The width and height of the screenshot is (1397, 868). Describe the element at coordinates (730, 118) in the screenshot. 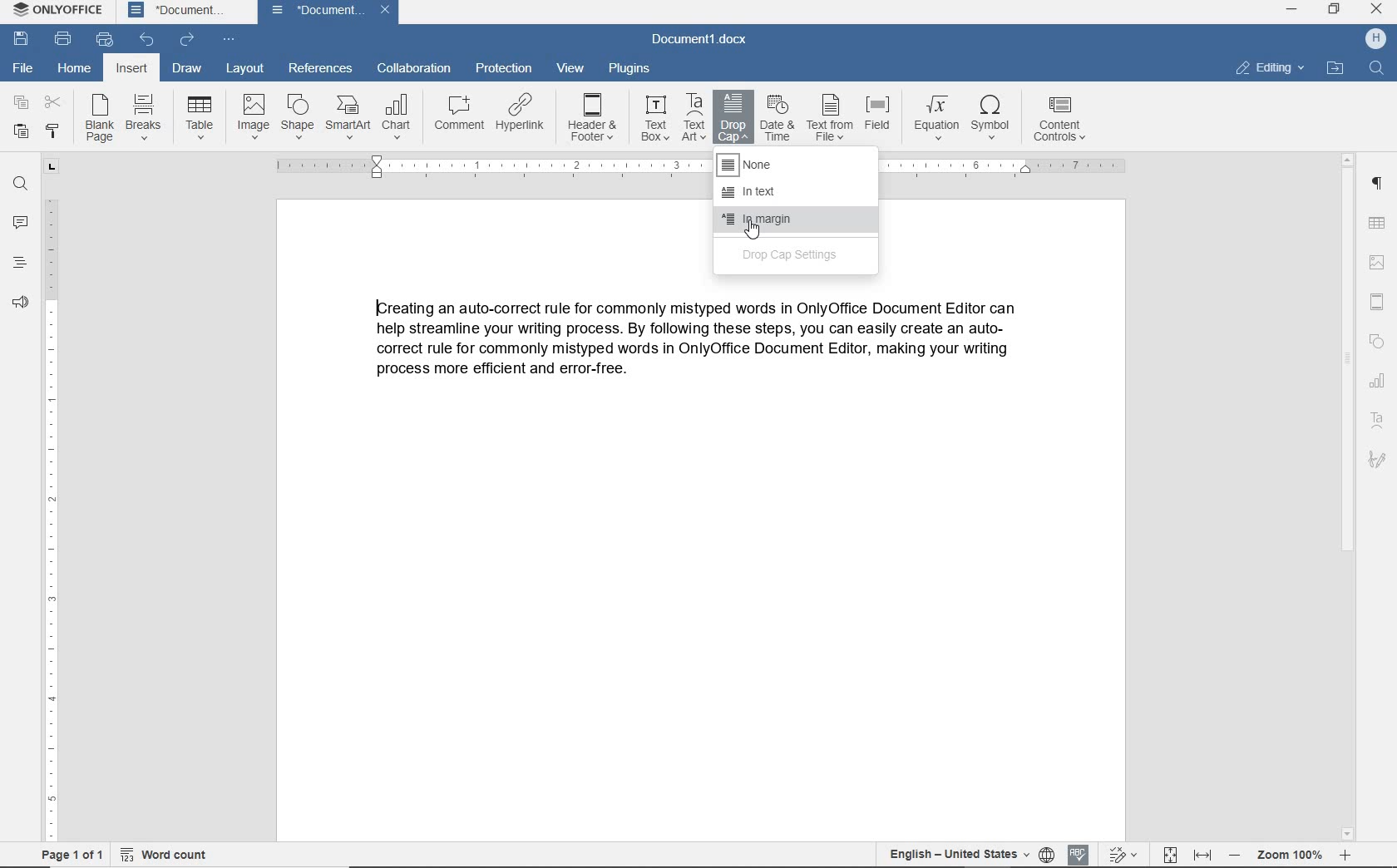

I see `drop cap` at that location.